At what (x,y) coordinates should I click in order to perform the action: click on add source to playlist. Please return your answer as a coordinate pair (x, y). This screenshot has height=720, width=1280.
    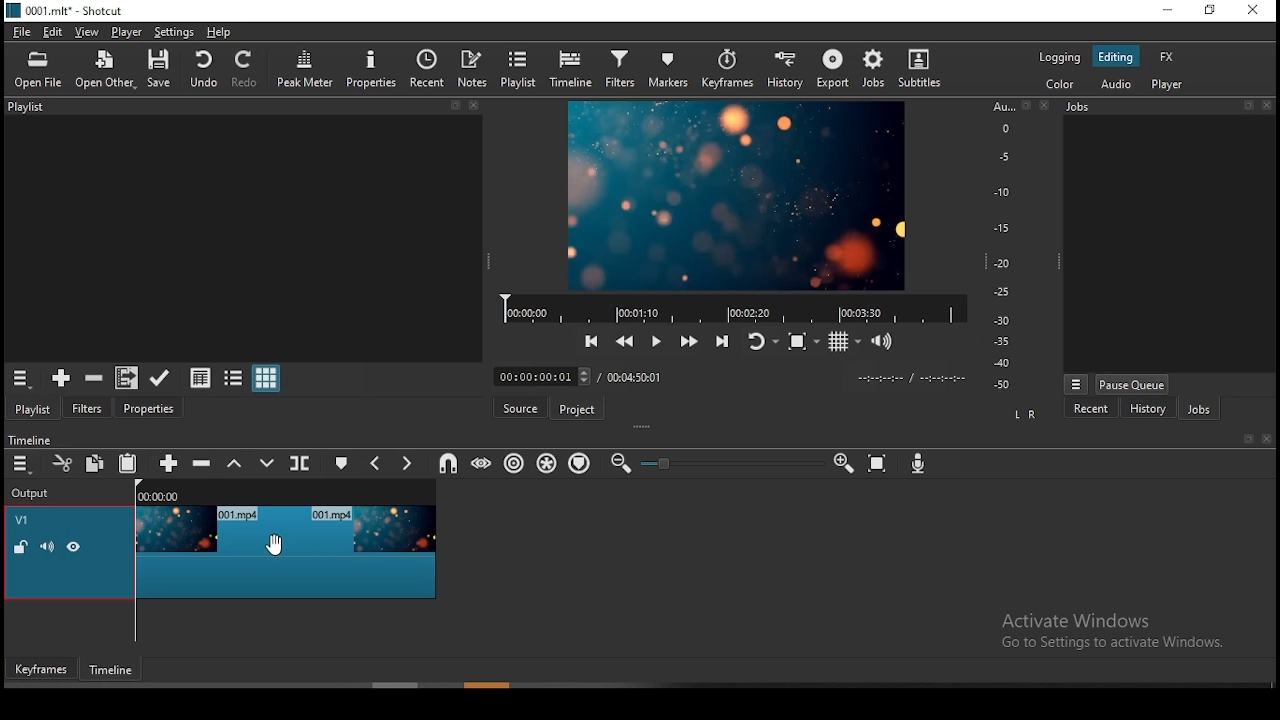
    Looking at the image, I should click on (61, 380).